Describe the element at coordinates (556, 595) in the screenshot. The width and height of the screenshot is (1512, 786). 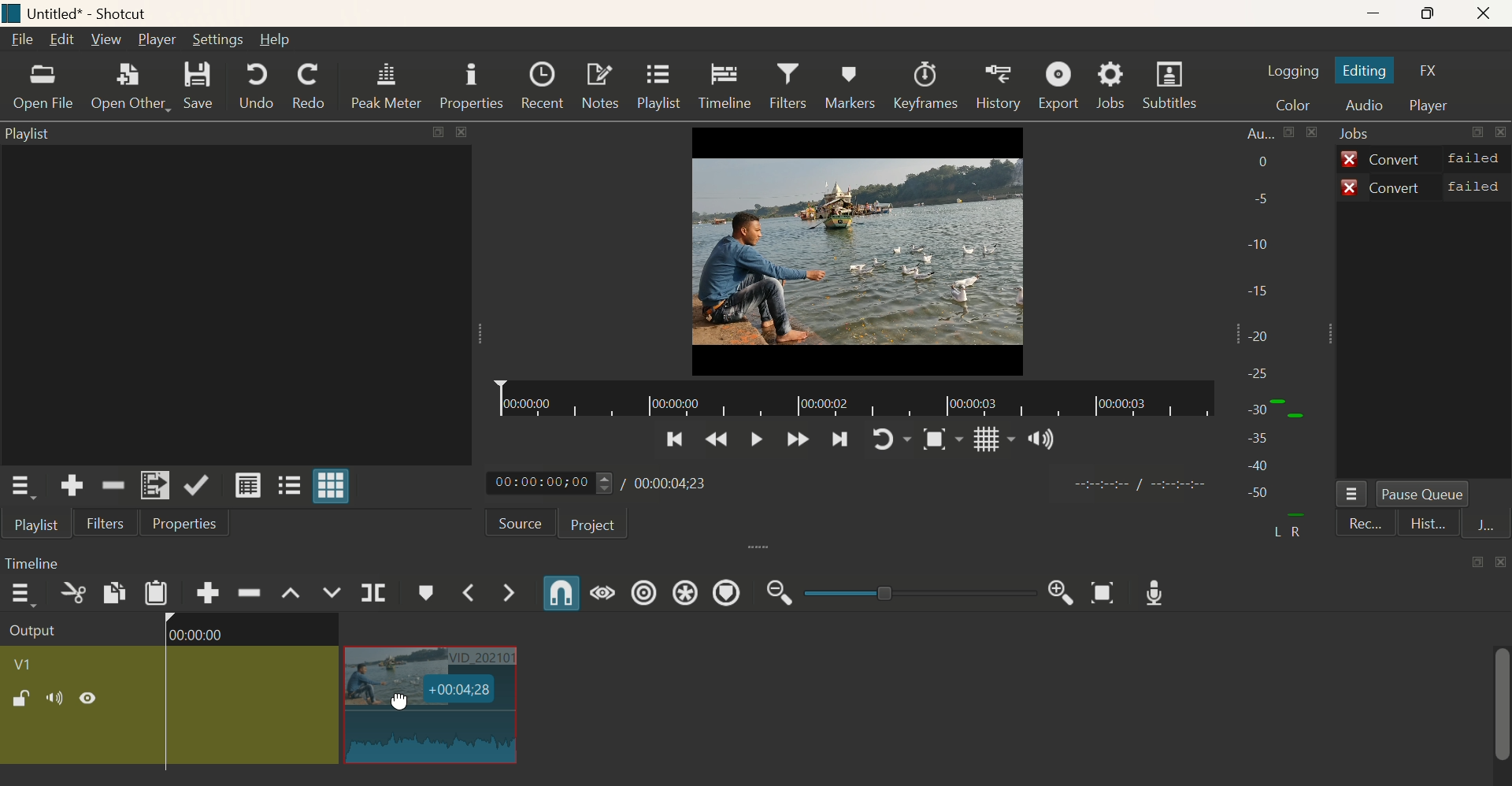
I see `Snap` at that location.